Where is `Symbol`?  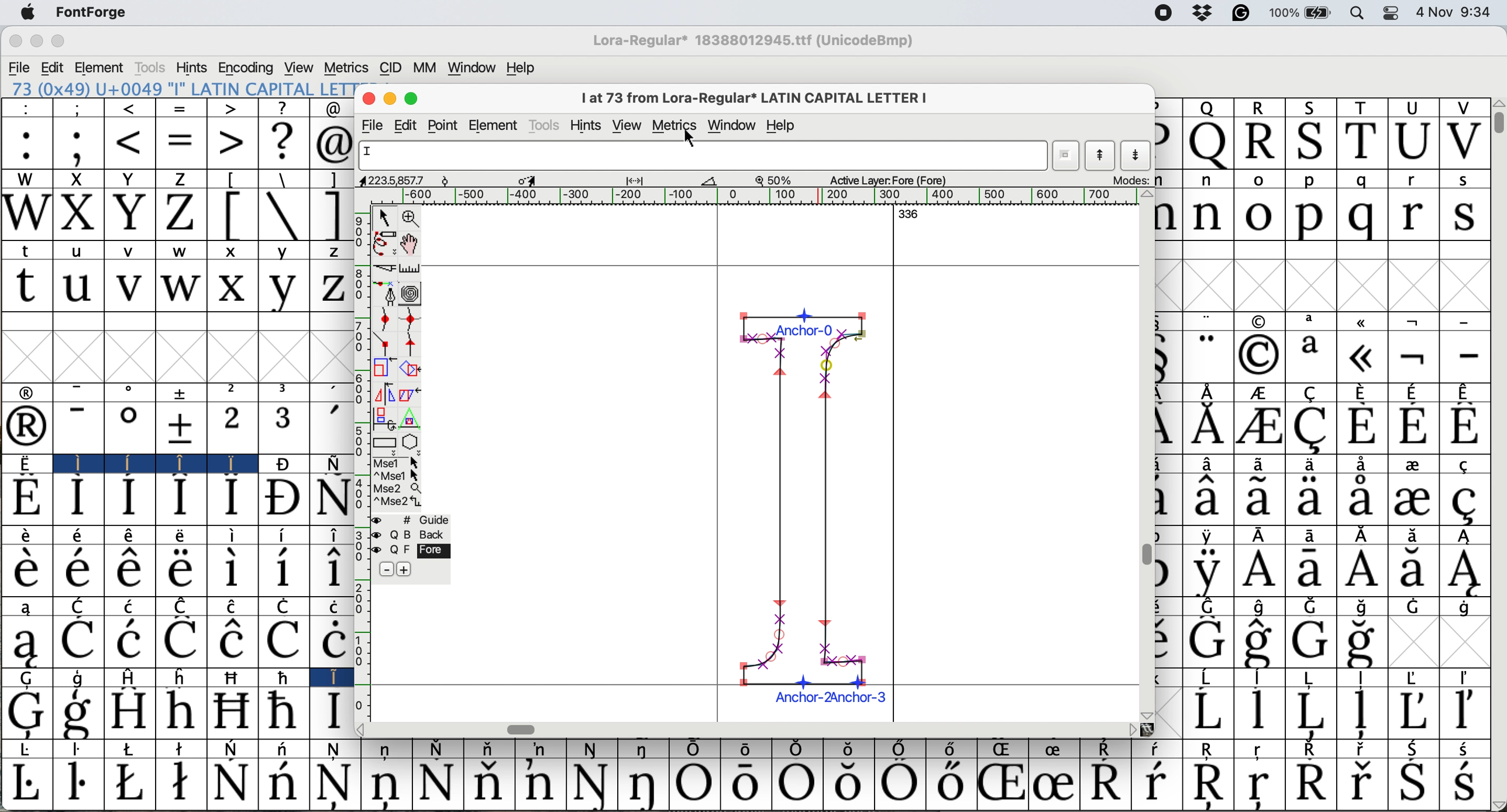
Symbol is located at coordinates (284, 641).